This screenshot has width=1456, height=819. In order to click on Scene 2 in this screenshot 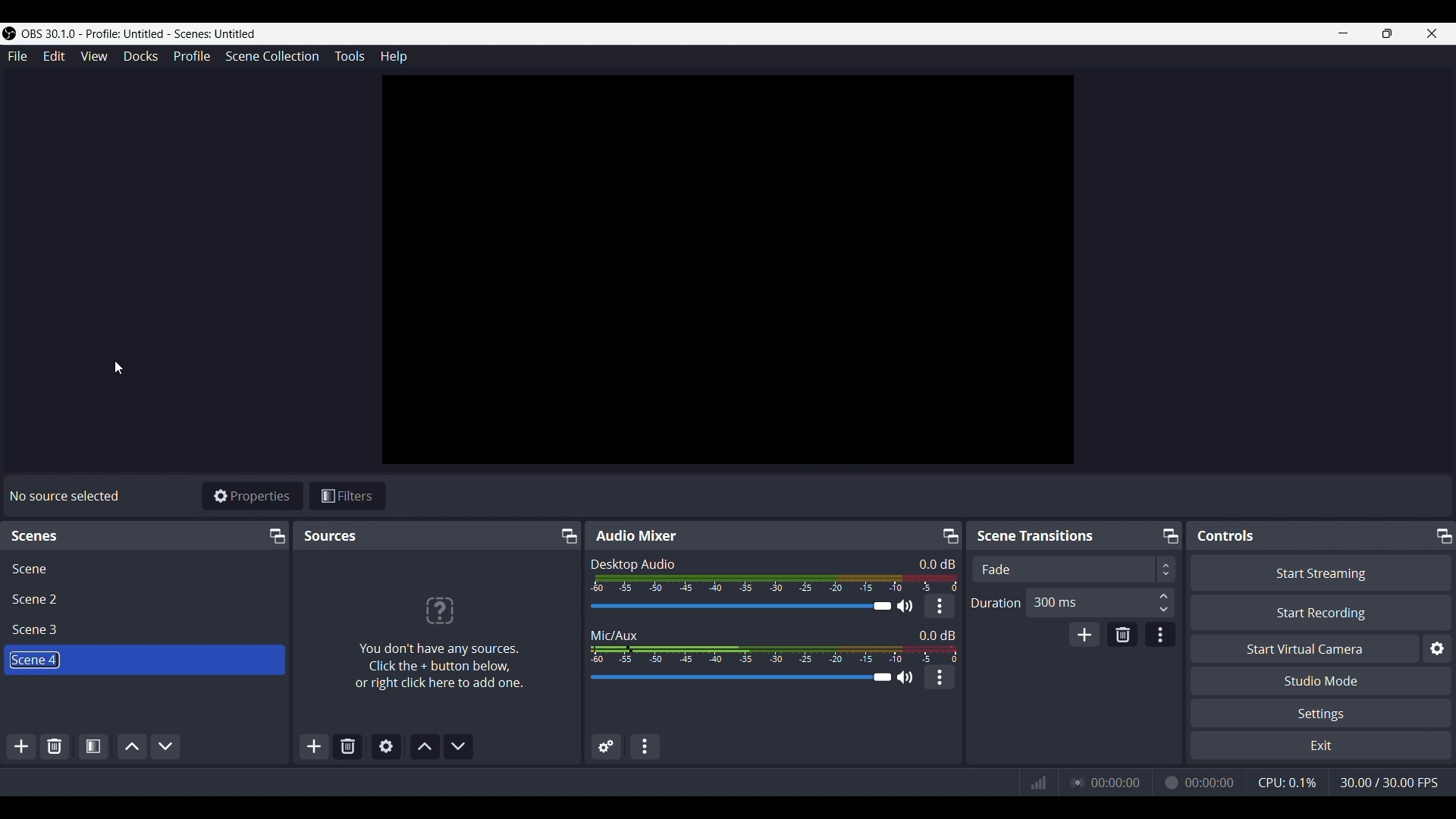, I will do `click(39, 599)`.